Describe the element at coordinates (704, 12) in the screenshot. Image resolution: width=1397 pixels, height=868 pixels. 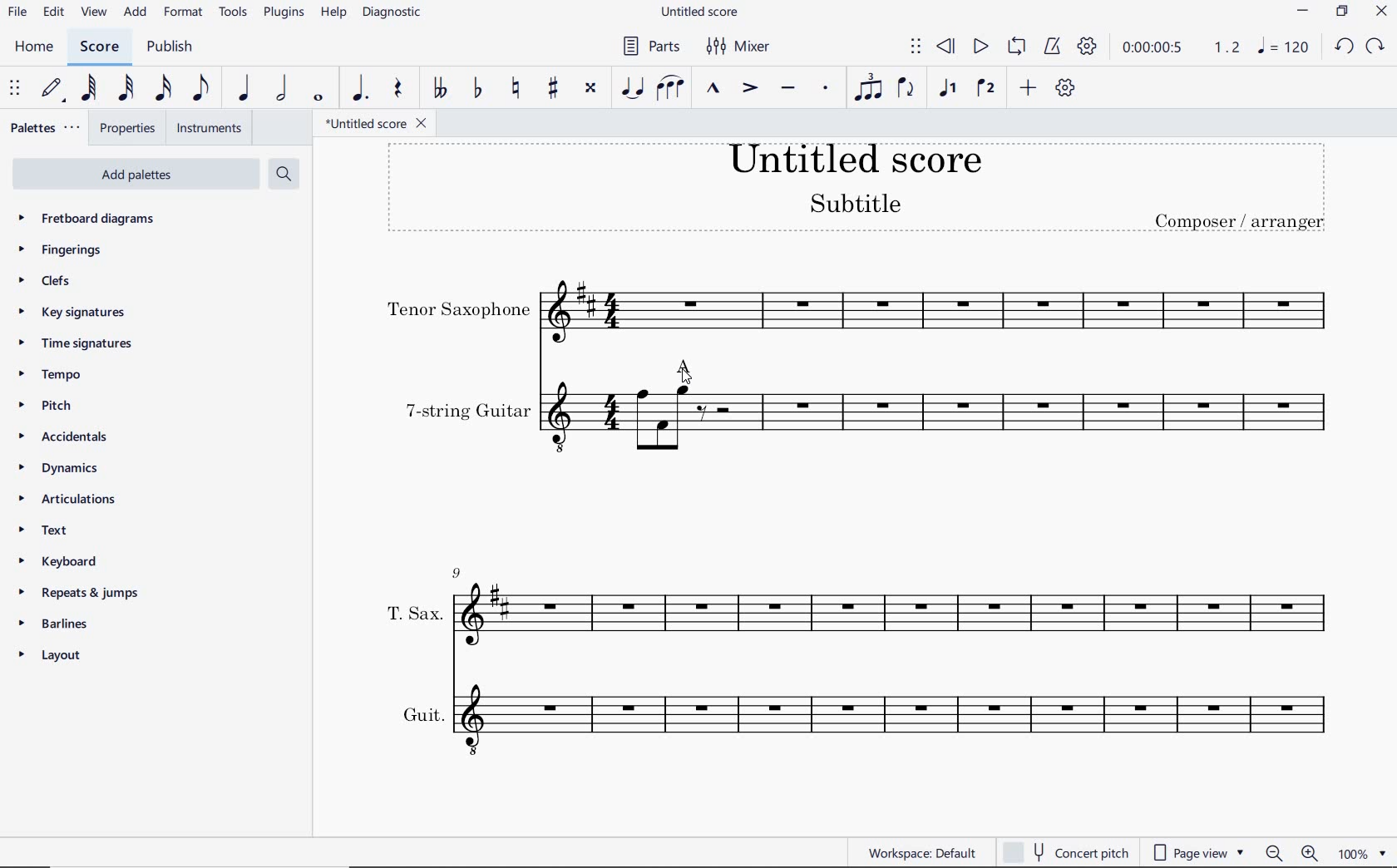
I see `FILE NAME` at that location.